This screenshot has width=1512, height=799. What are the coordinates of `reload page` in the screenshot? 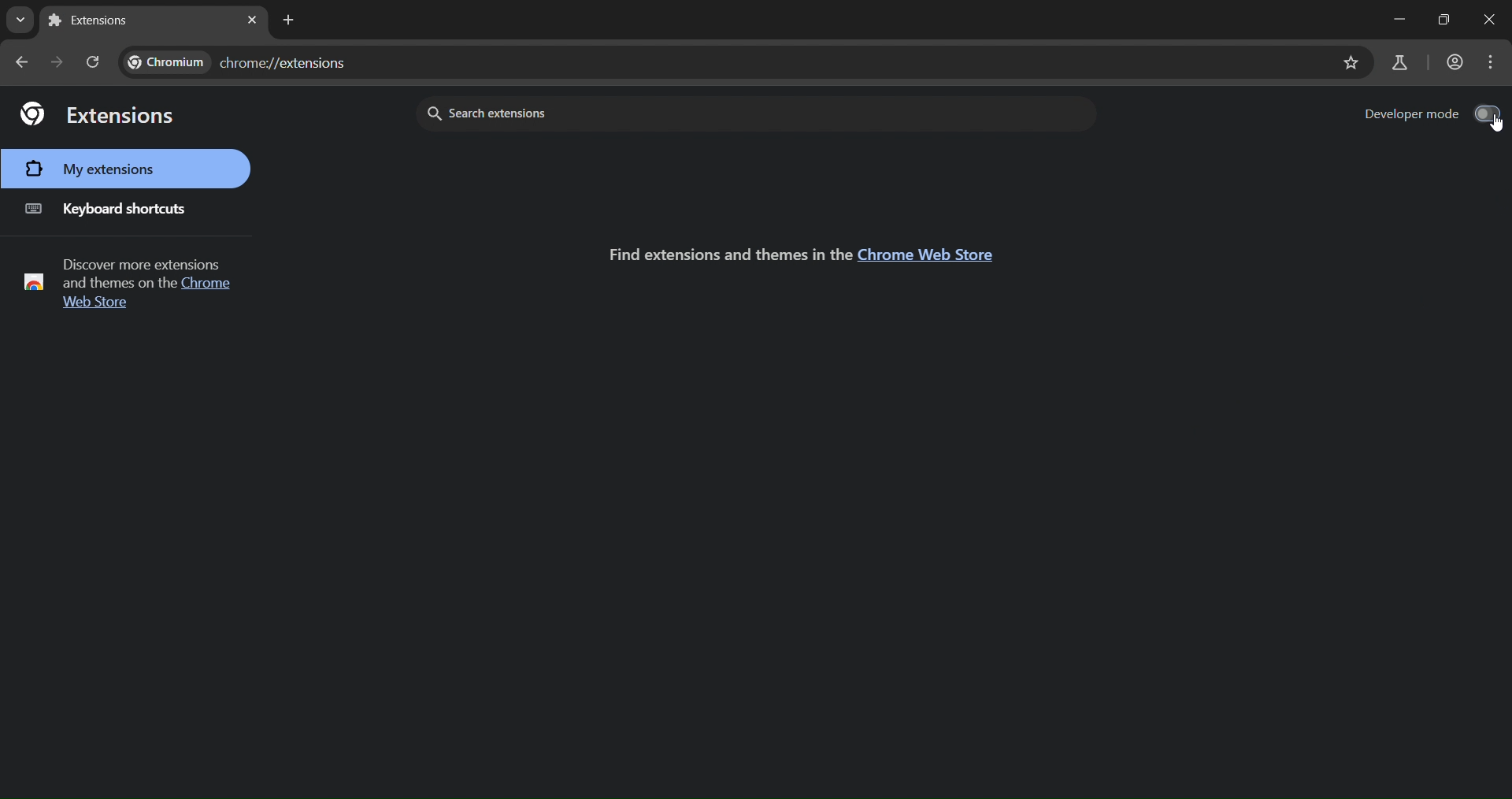 It's located at (93, 61).